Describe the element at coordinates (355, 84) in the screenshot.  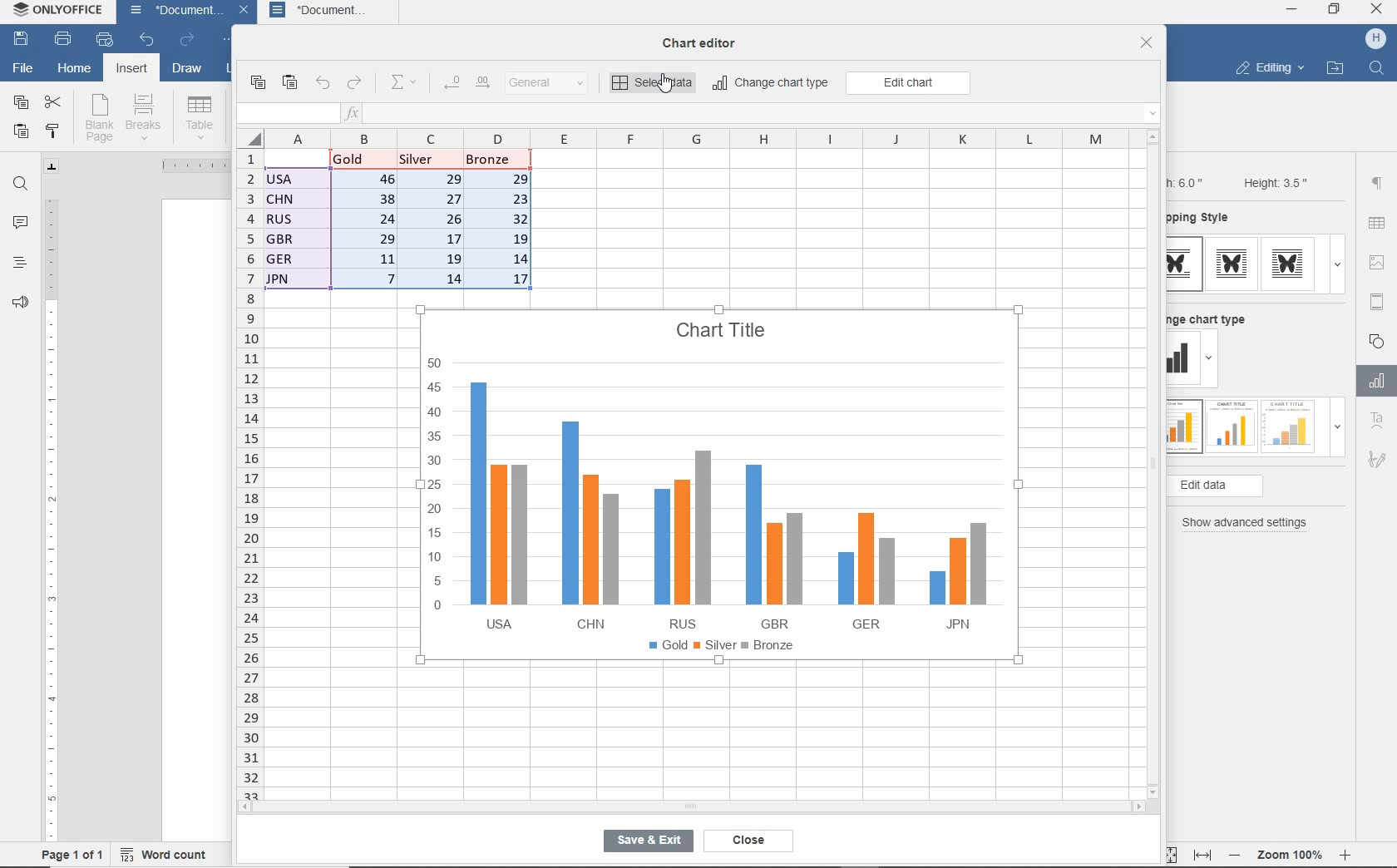
I see `redo ` at that location.